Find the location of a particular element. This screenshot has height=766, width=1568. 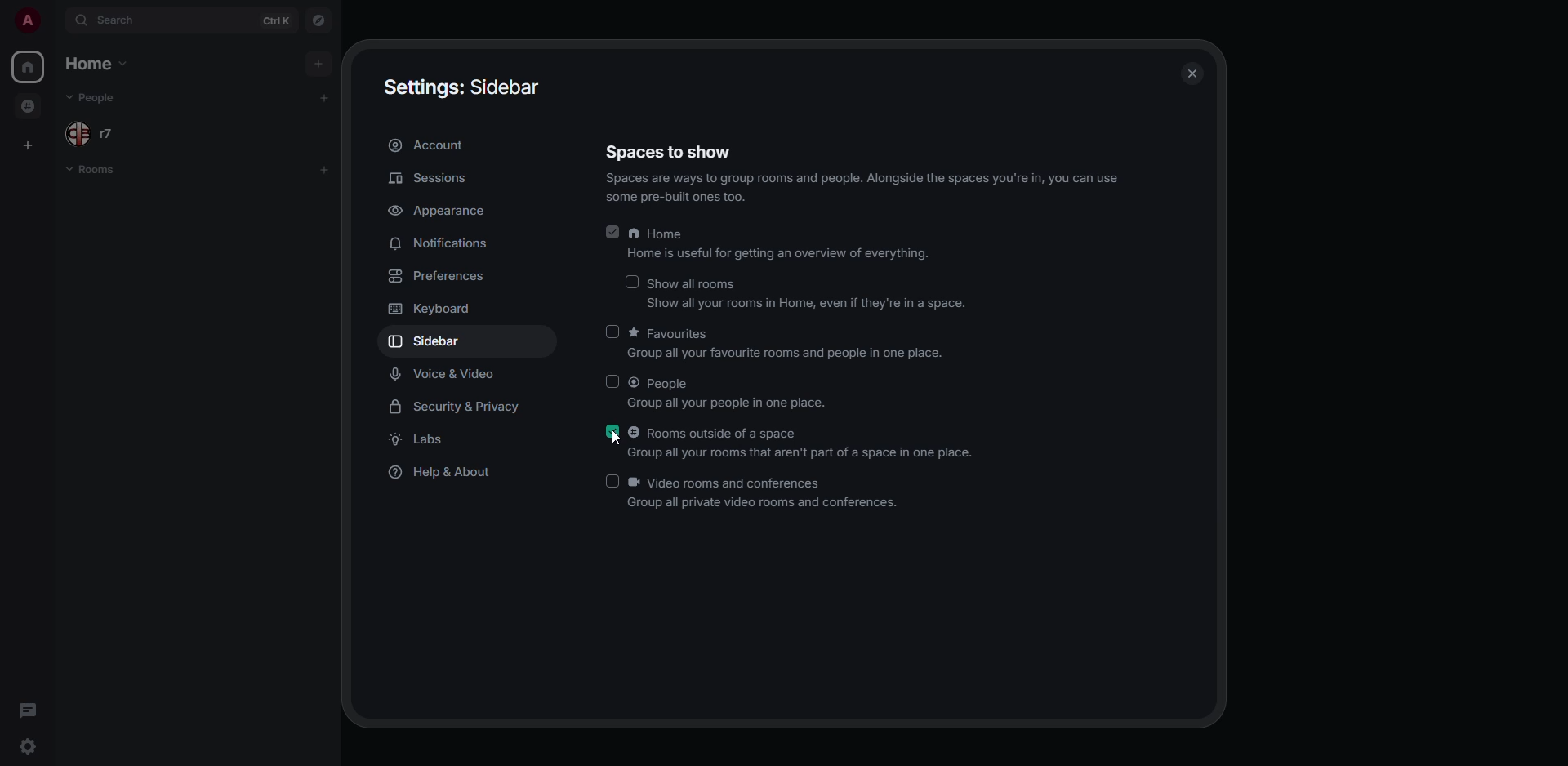

appearance is located at coordinates (444, 206).